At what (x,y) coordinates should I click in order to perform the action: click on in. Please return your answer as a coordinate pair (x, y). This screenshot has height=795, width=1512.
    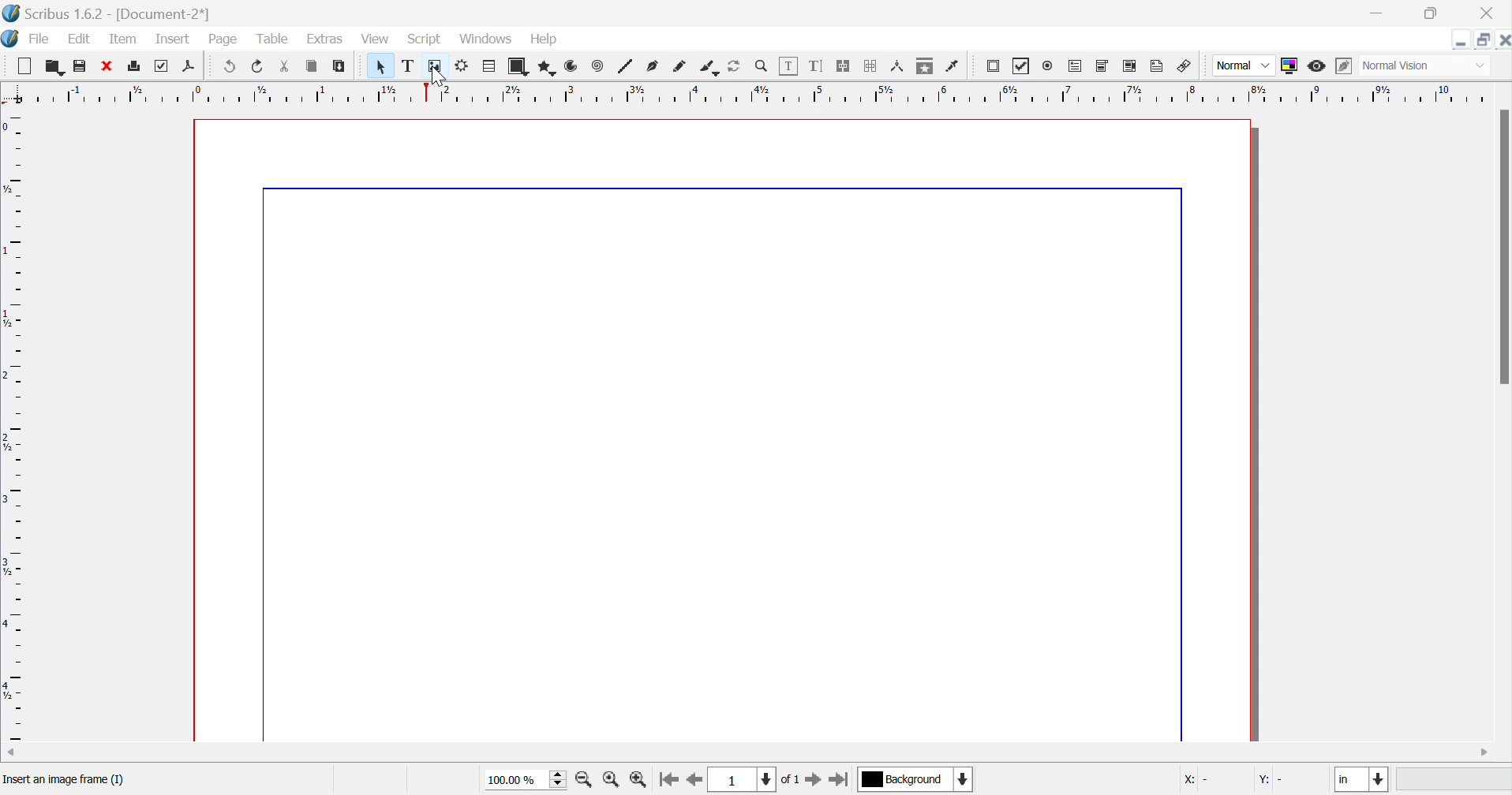
    Looking at the image, I should click on (1362, 780).